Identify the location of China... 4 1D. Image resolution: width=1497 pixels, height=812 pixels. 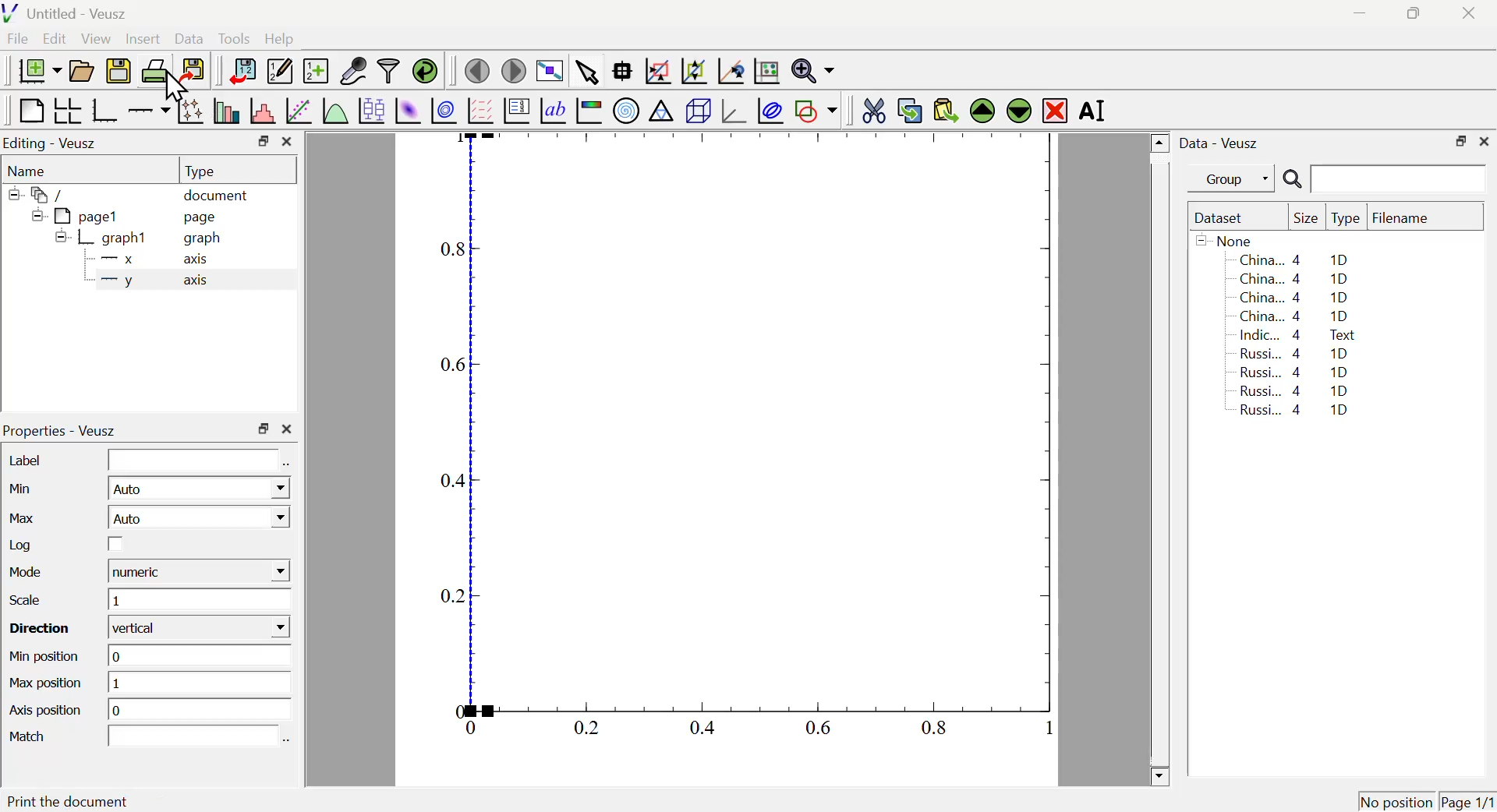
(1294, 259).